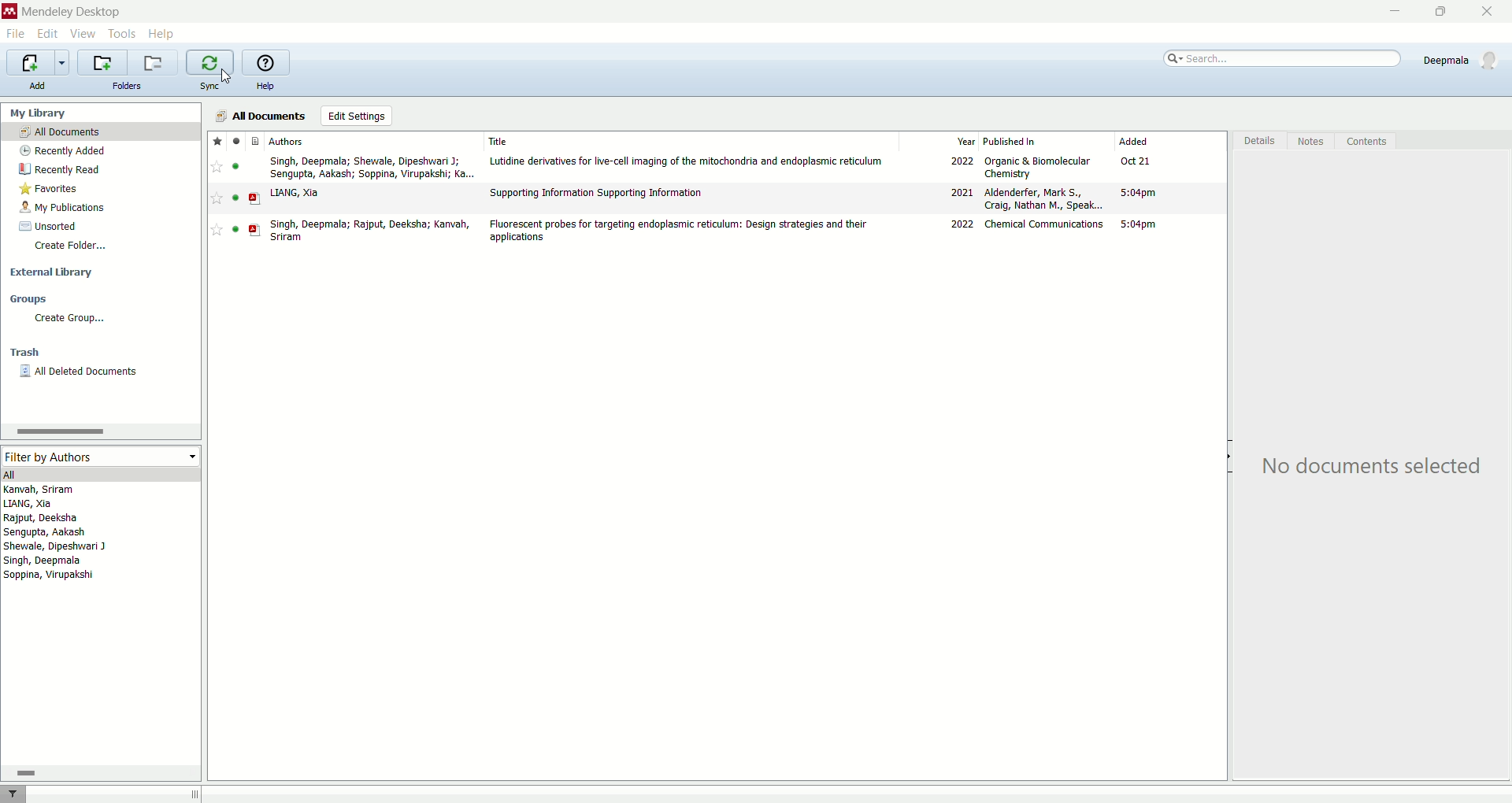 The width and height of the screenshot is (1512, 803). Describe the element at coordinates (1040, 168) in the screenshot. I see `Organic & Biomolecular Chemistry` at that location.